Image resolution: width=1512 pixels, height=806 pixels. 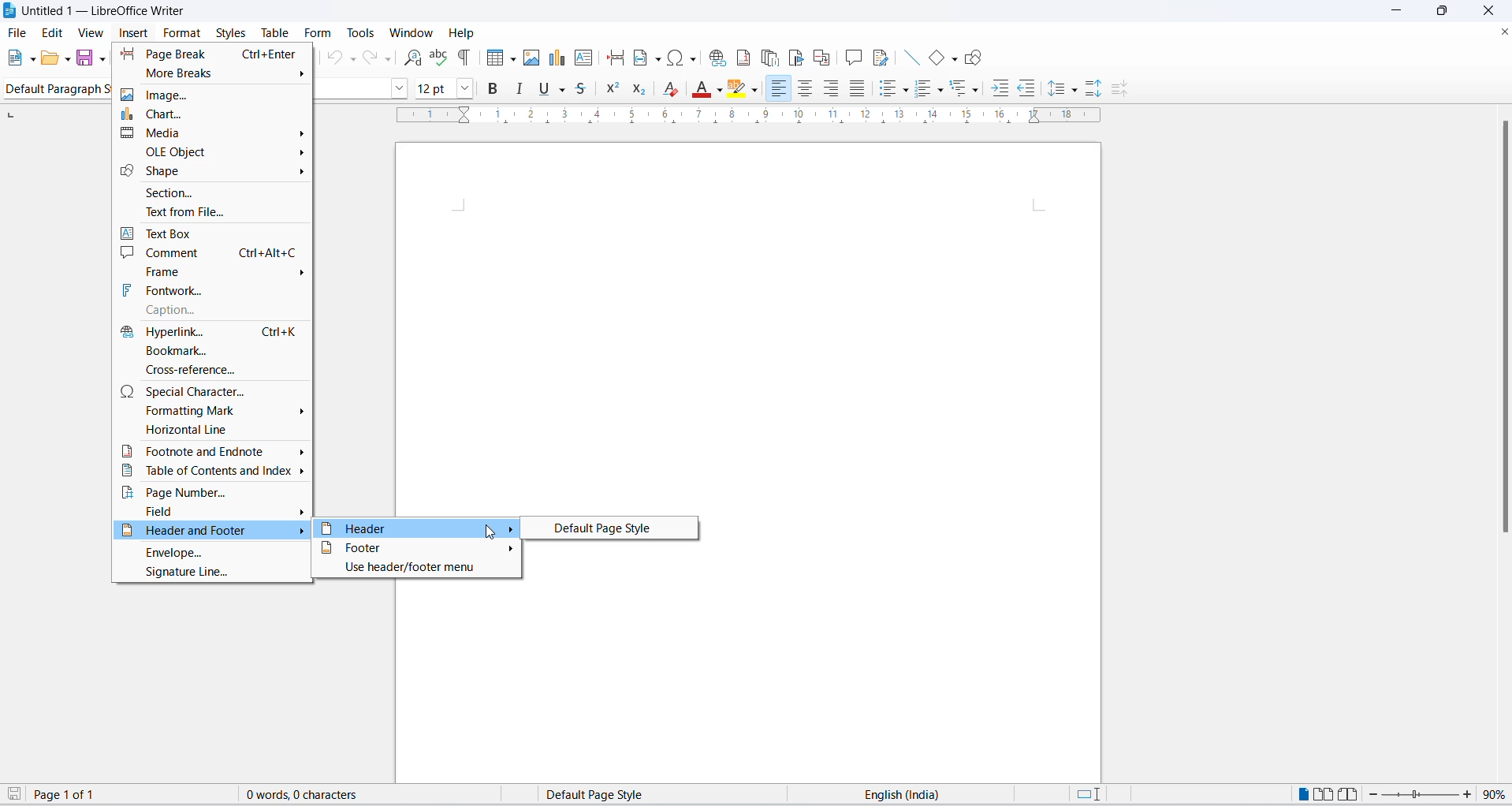 I want to click on text language, so click(x=904, y=794).